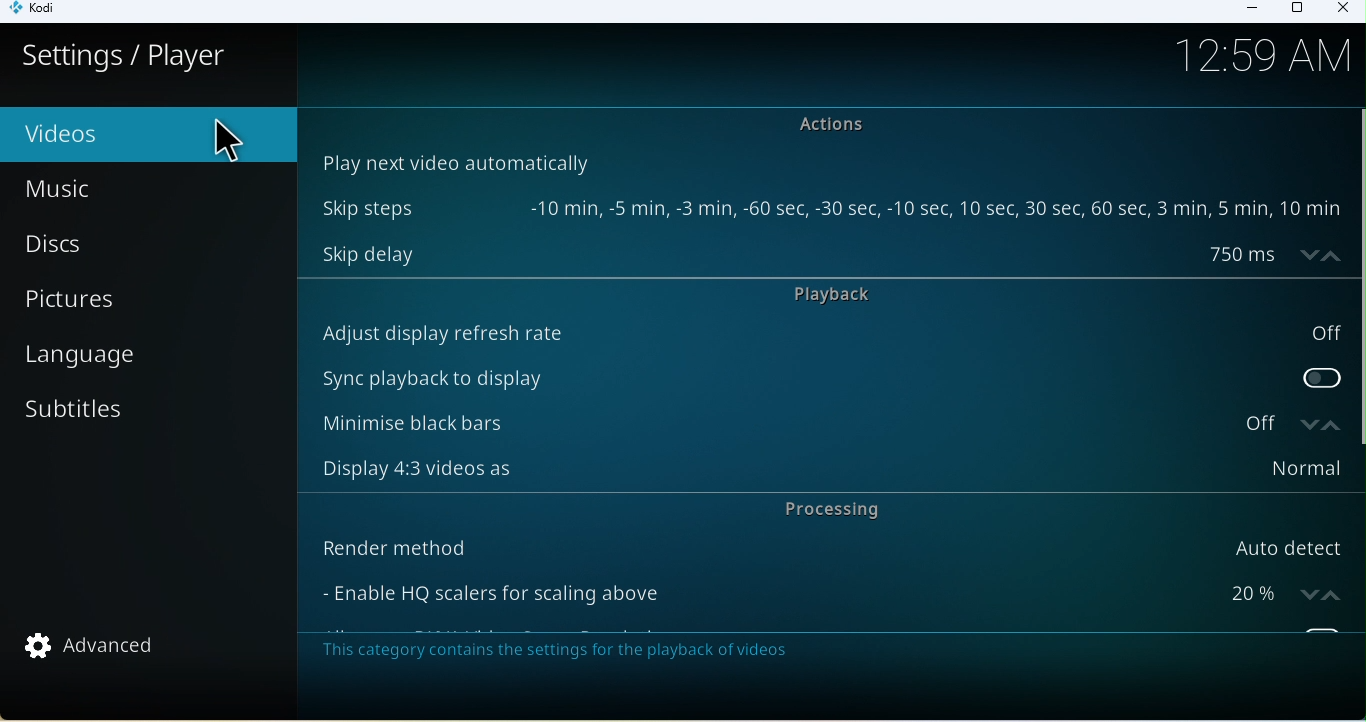  I want to click on Music, so click(106, 188).